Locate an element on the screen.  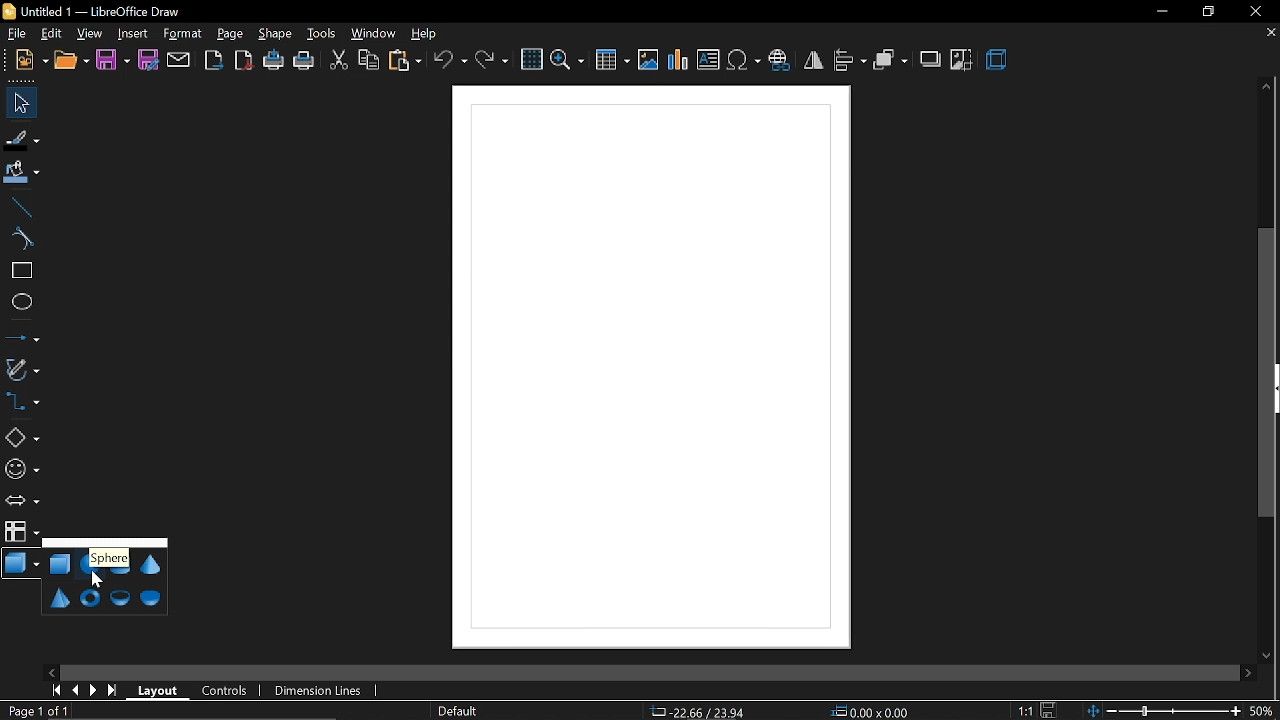
-22.66/23.94 is located at coordinates (702, 711).